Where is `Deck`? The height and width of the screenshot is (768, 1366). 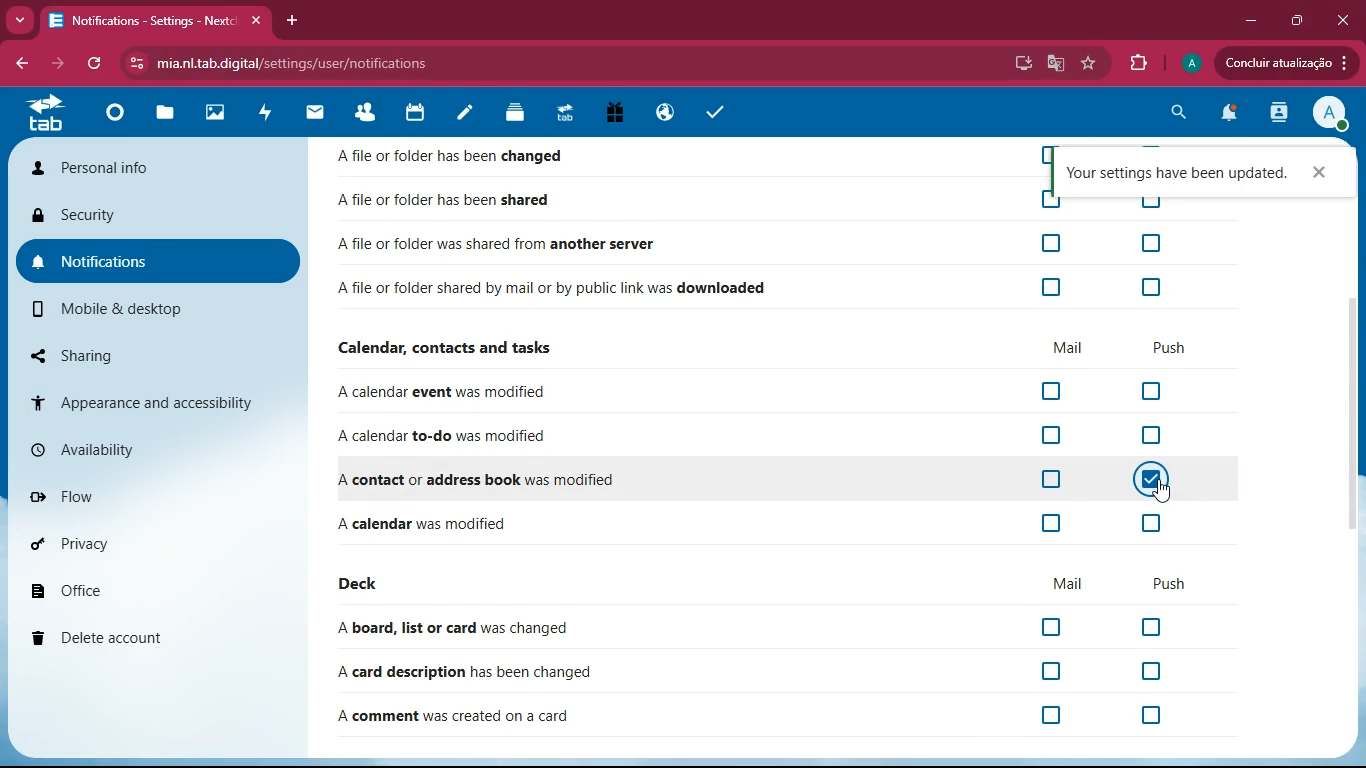
Deck is located at coordinates (362, 584).